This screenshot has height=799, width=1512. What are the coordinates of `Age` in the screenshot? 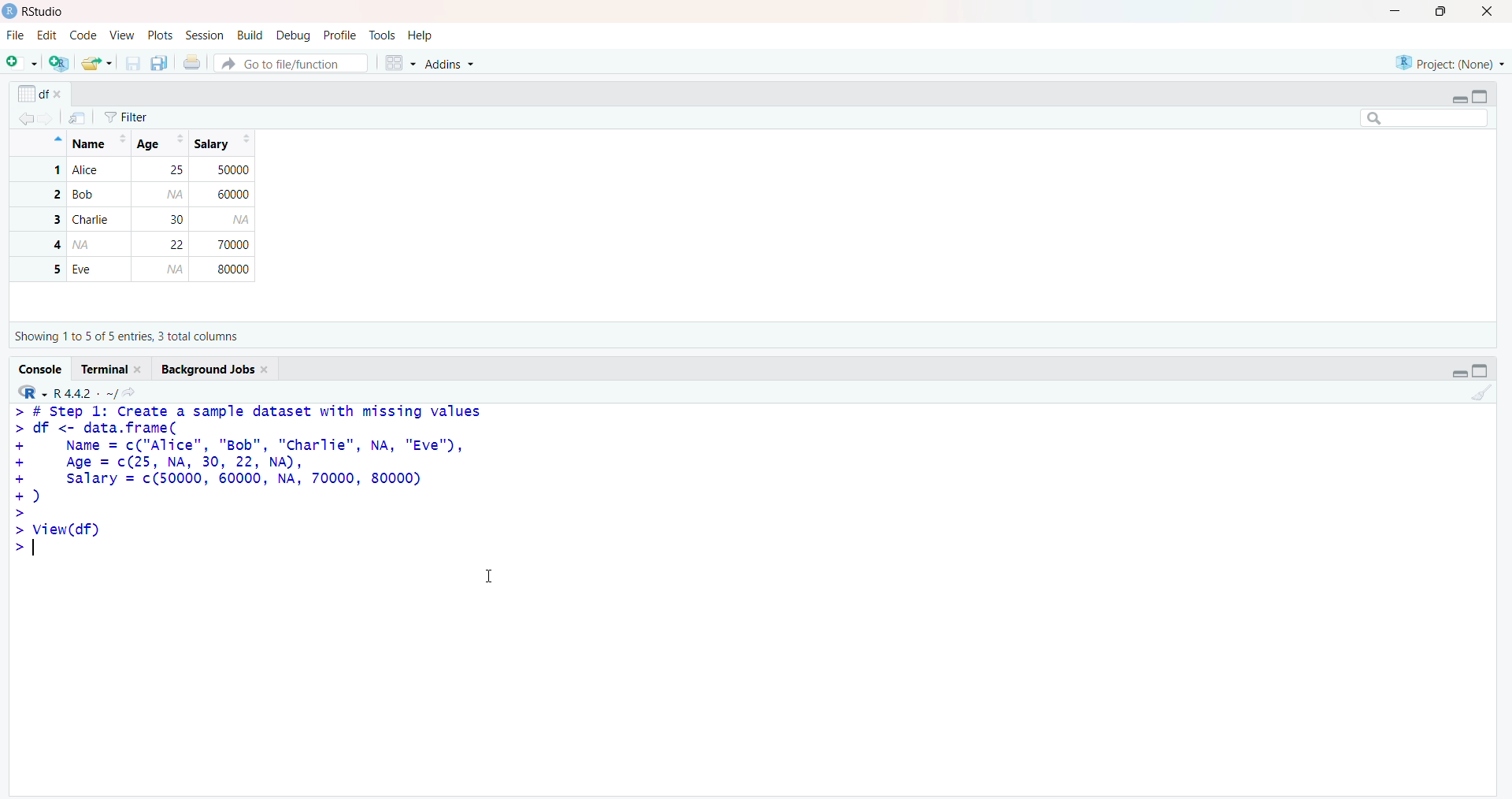 It's located at (160, 143).